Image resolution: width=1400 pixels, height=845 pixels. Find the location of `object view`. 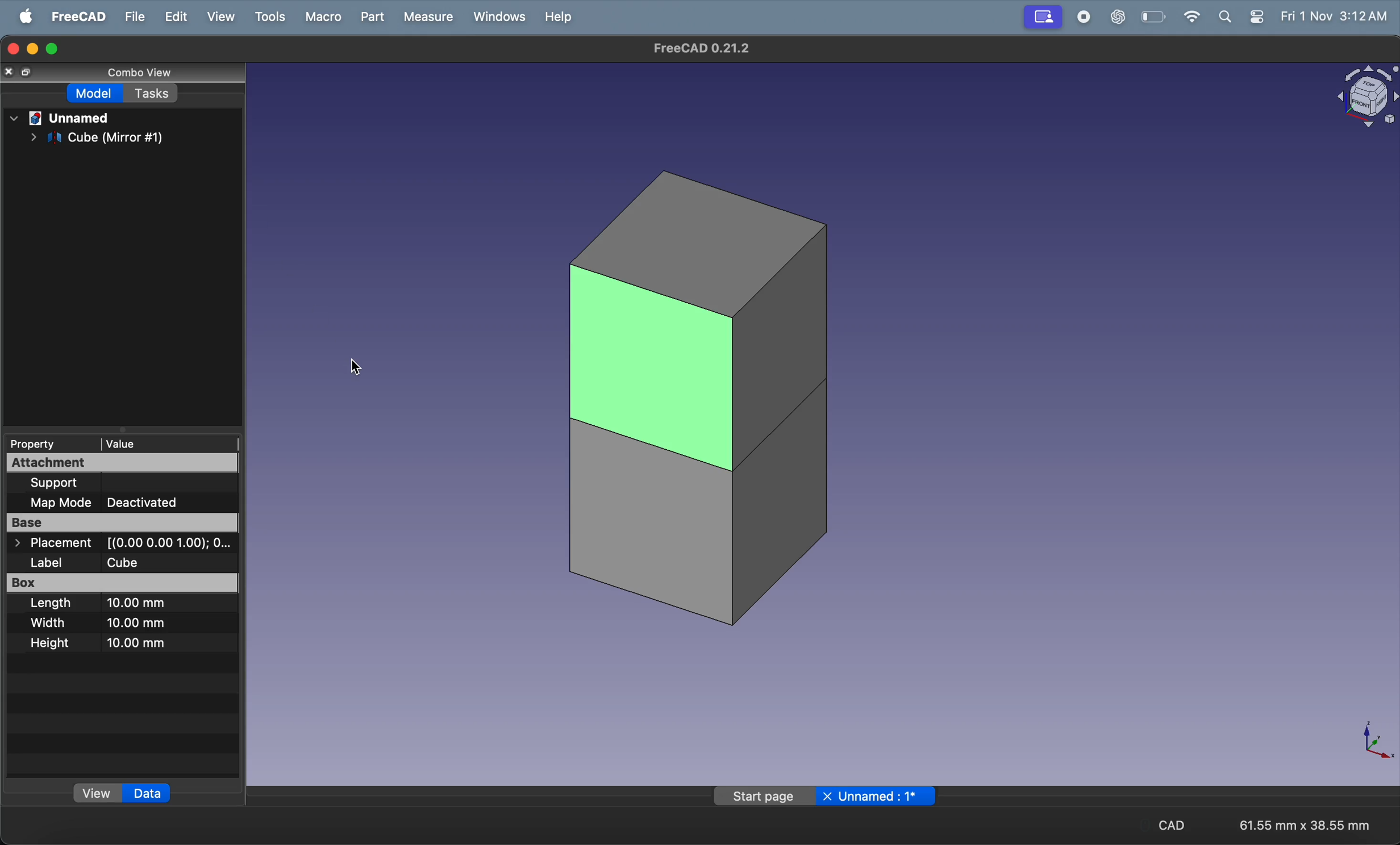

object view is located at coordinates (1365, 100).